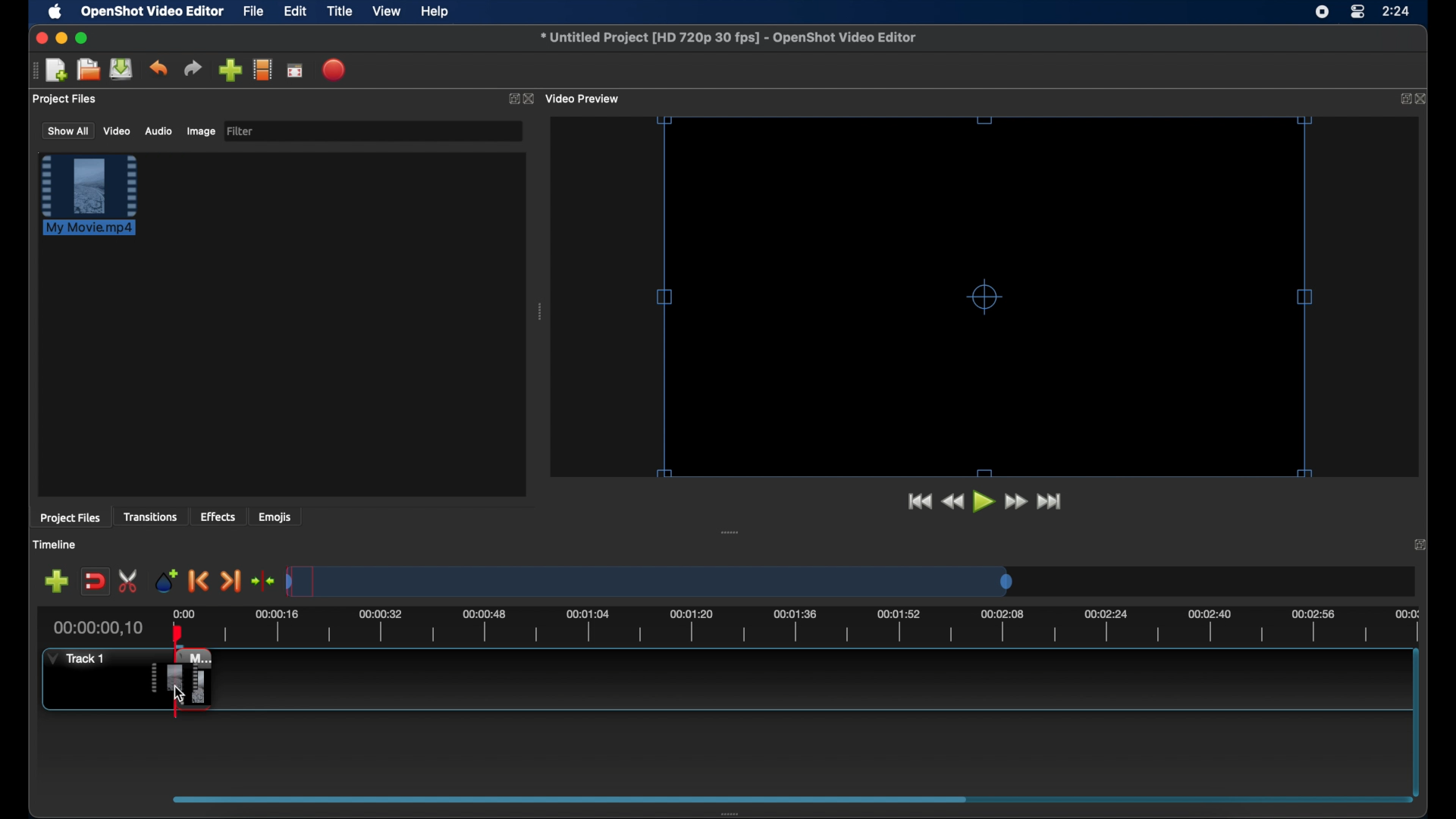  What do you see at coordinates (56, 69) in the screenshot?
I see `new project` at bounding box center [56, 69].